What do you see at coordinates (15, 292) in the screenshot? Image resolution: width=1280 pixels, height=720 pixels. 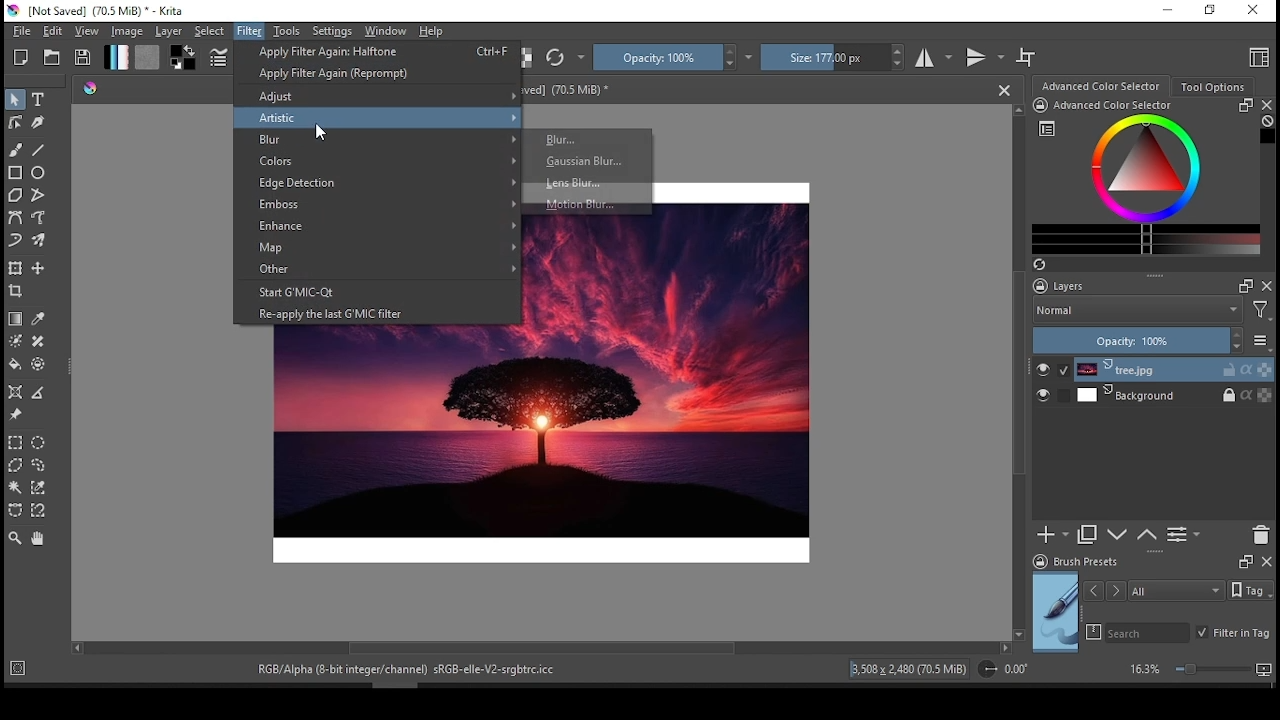 I see `crop the image to an area` at bounding box center [15, 292].